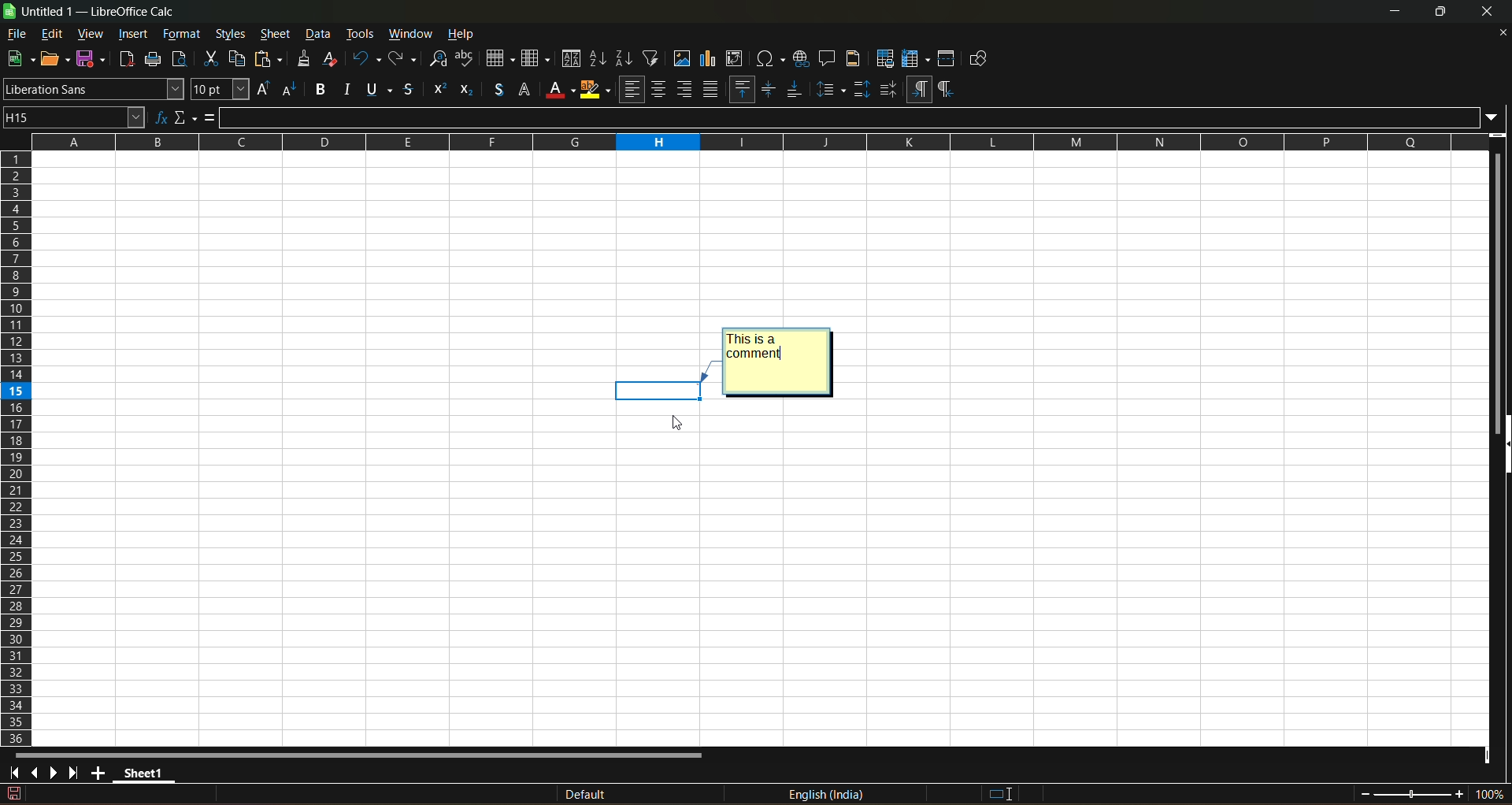 The height and width of the screenshot is (805, 1512). Describe the element at coordinates (361, 35) in the screenshot. I see `tools` at that location.